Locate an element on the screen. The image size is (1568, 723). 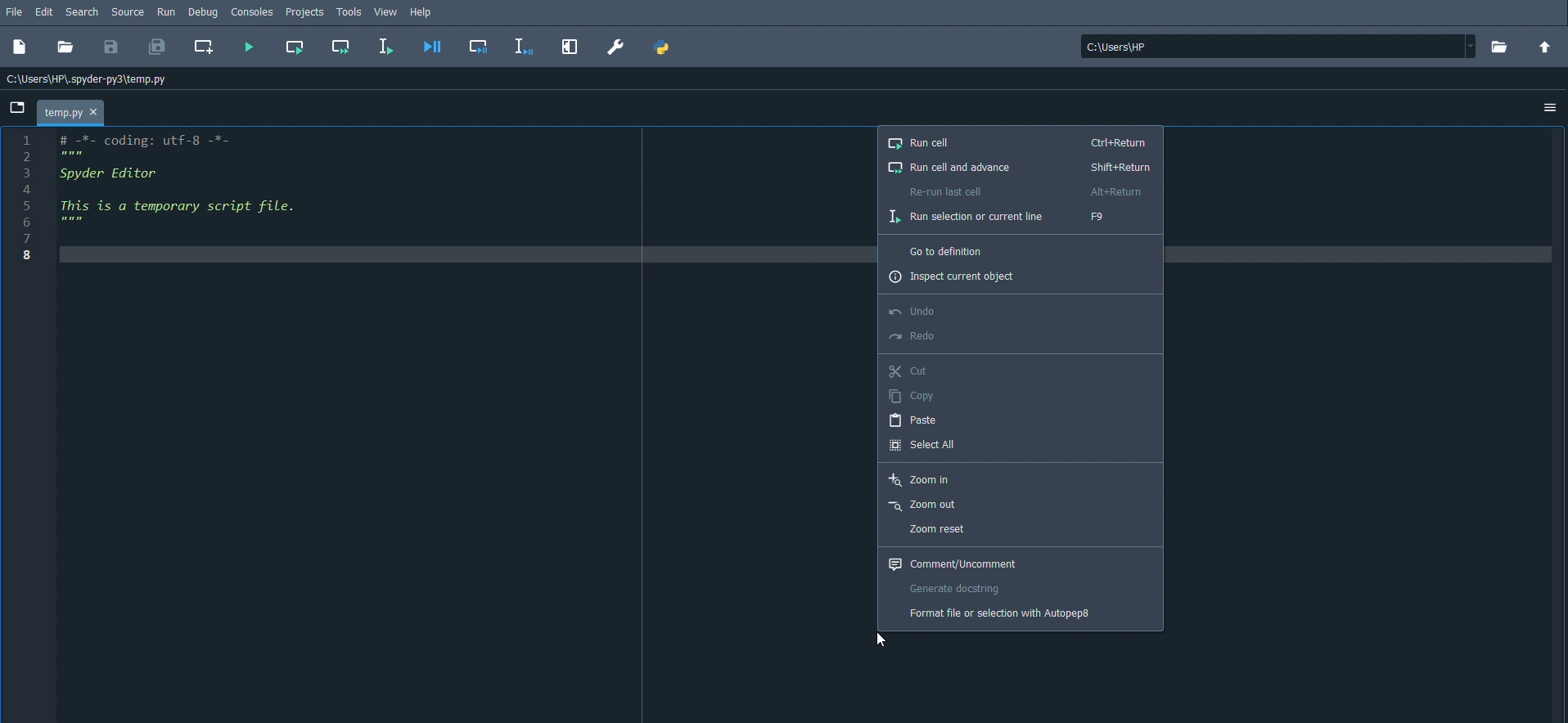
Cut is located at coordinates (910, 370).